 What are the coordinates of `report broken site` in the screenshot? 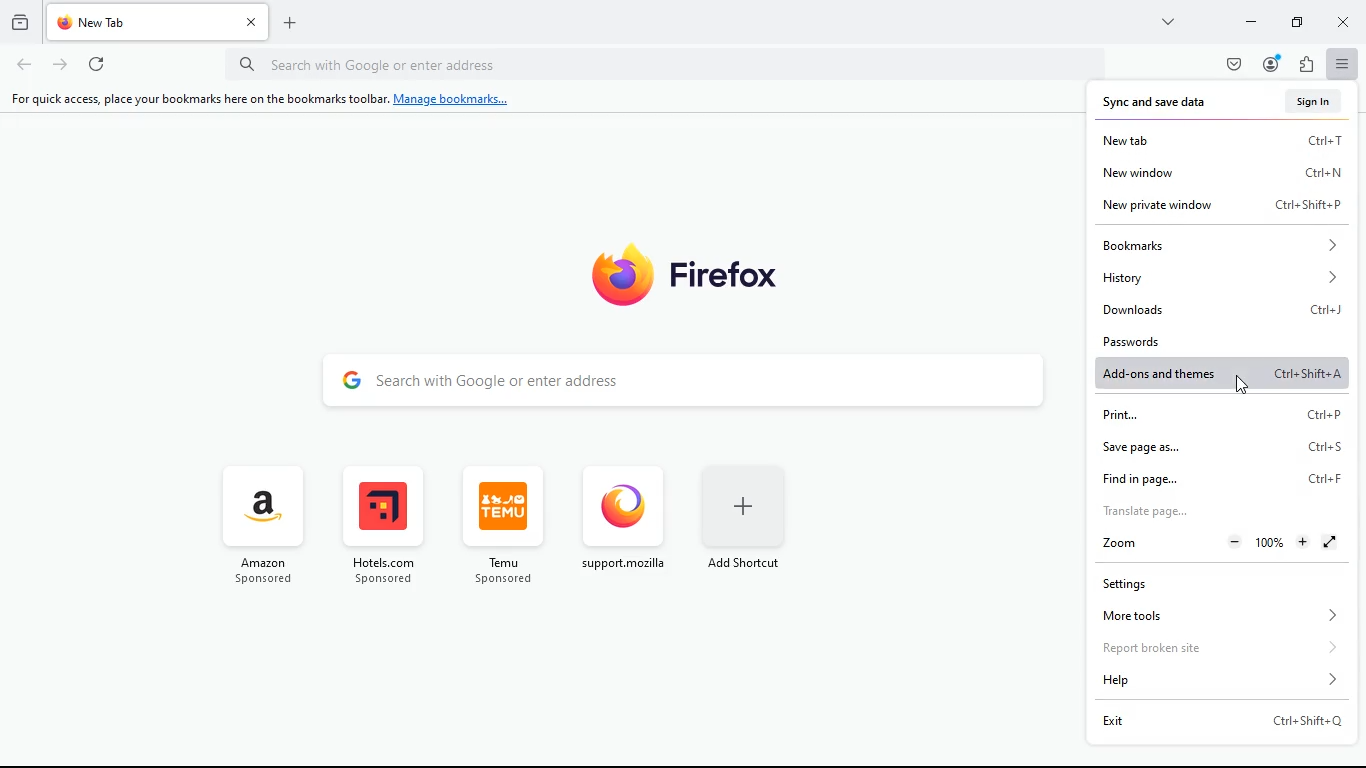 It's located at (1222, 645).